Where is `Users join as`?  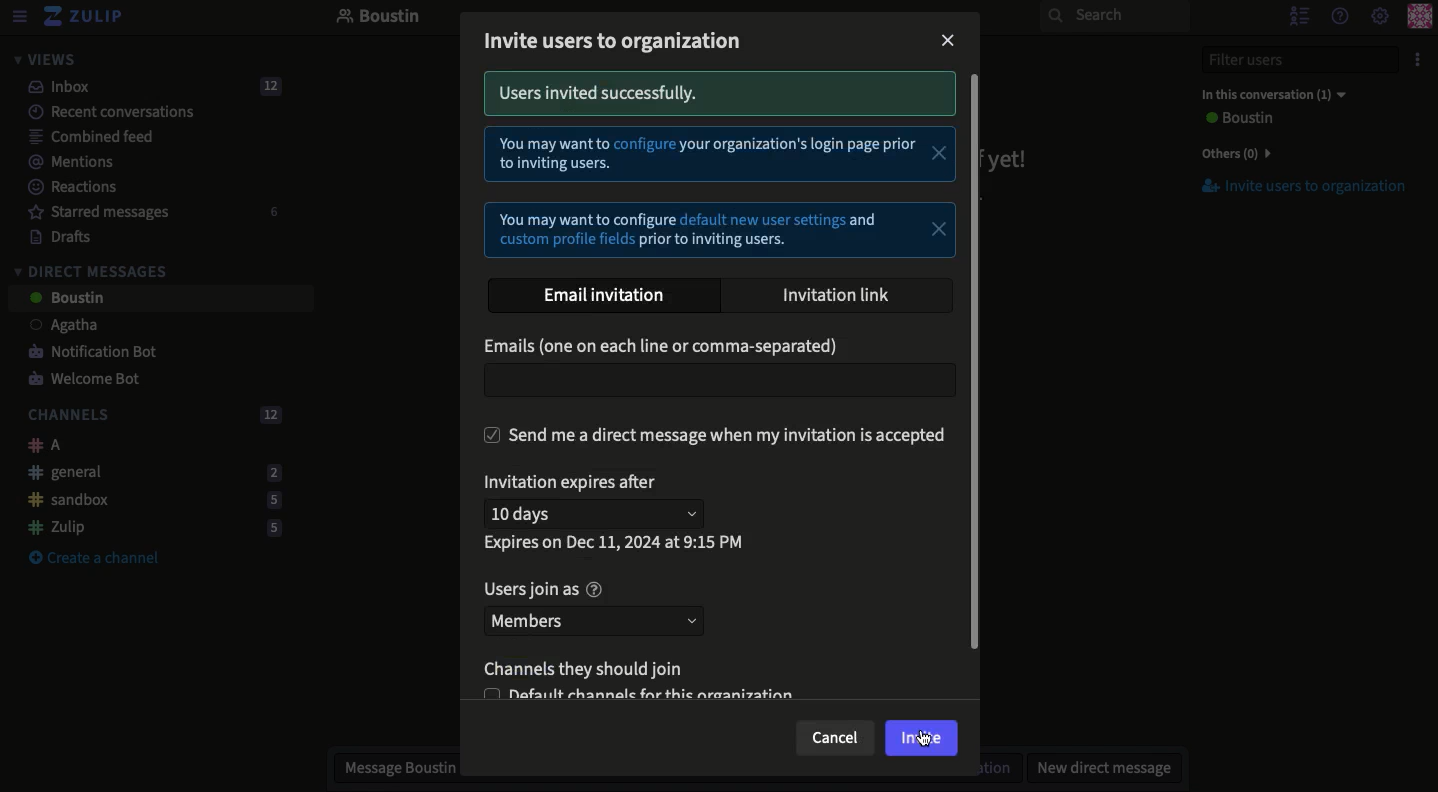
Users join as is located at coordinates (551, 590).